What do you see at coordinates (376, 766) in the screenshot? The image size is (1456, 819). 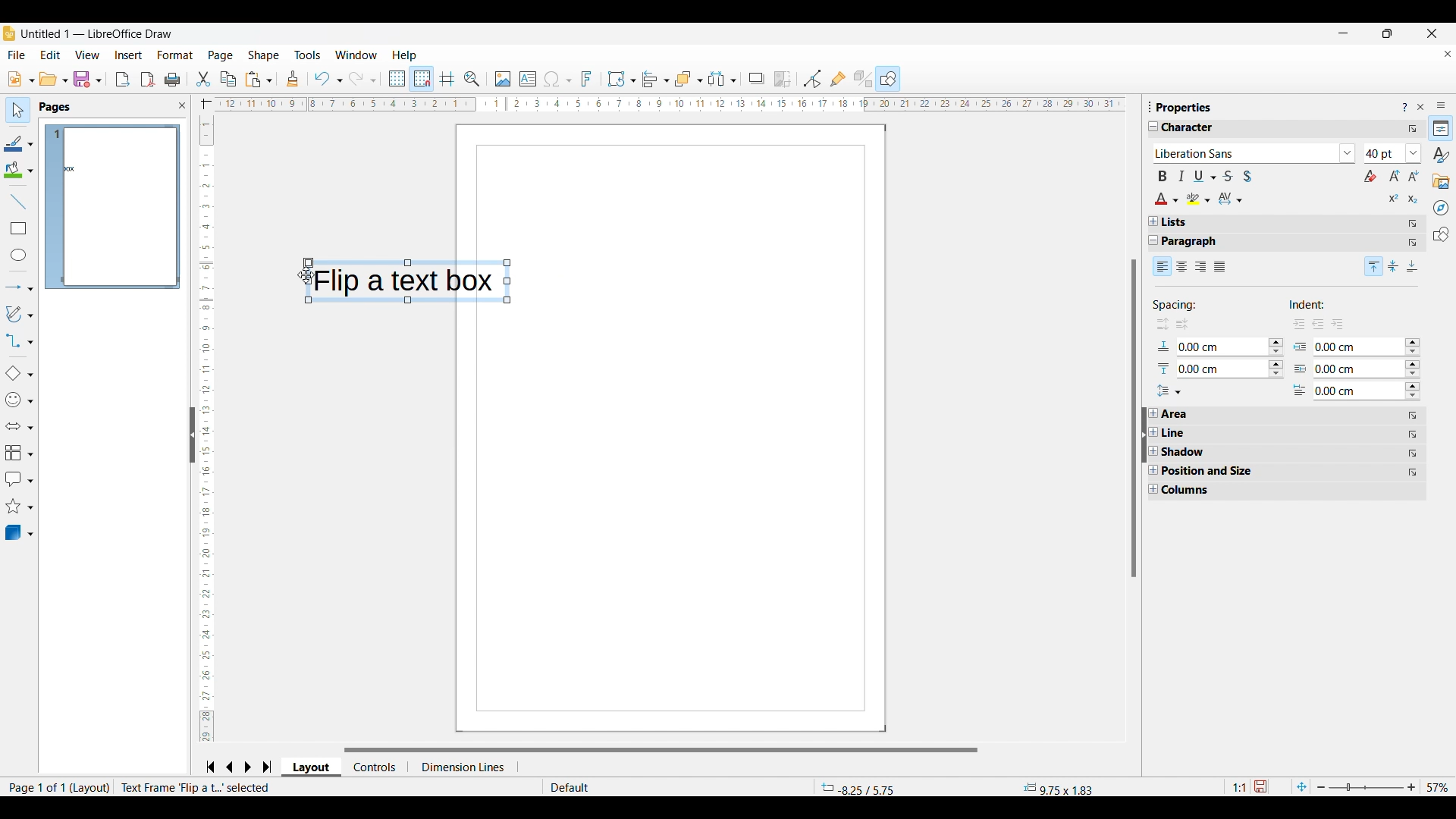 I see `control` at bounding box center [376, 766].